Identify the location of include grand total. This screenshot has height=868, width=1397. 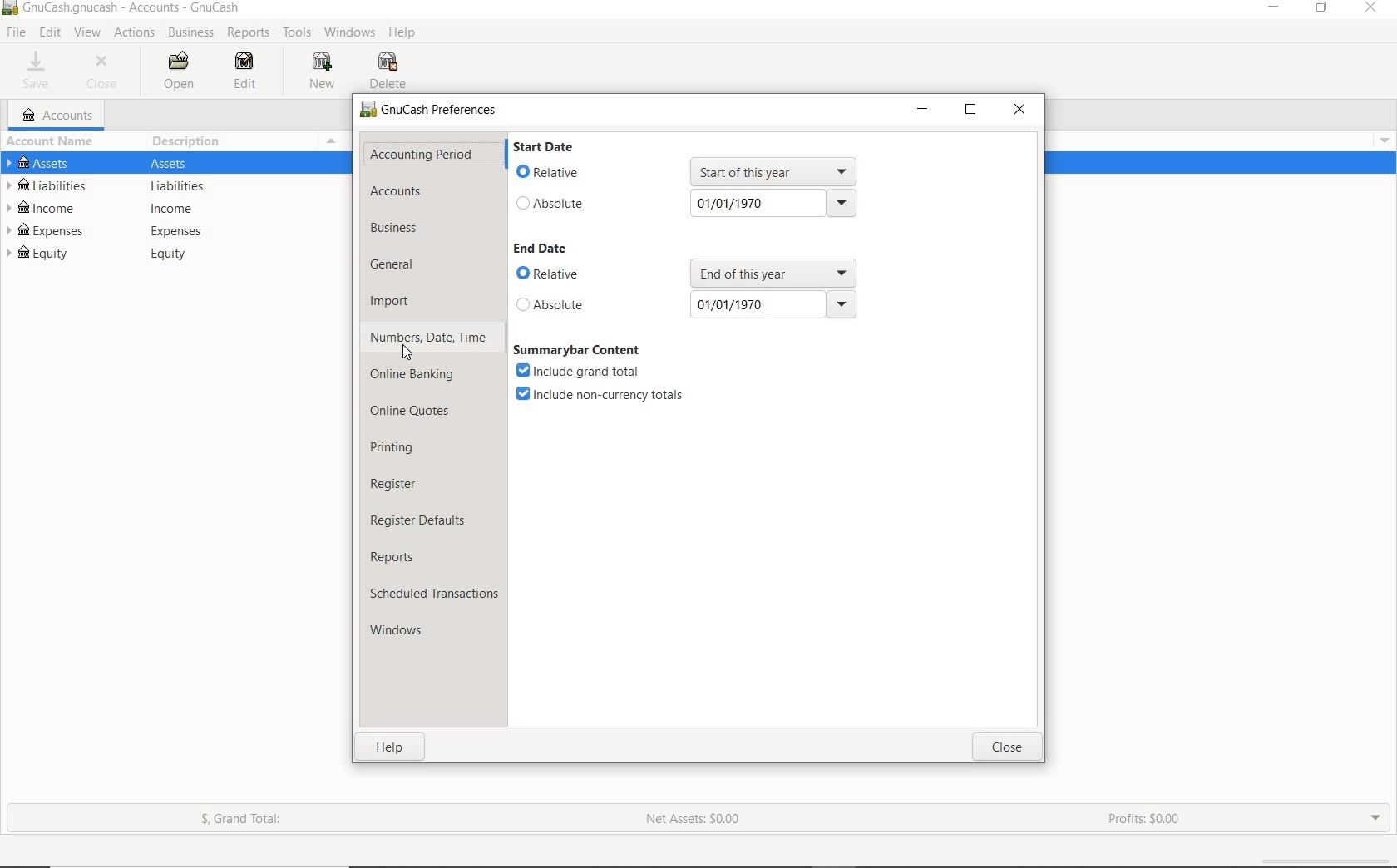
(582, 372).